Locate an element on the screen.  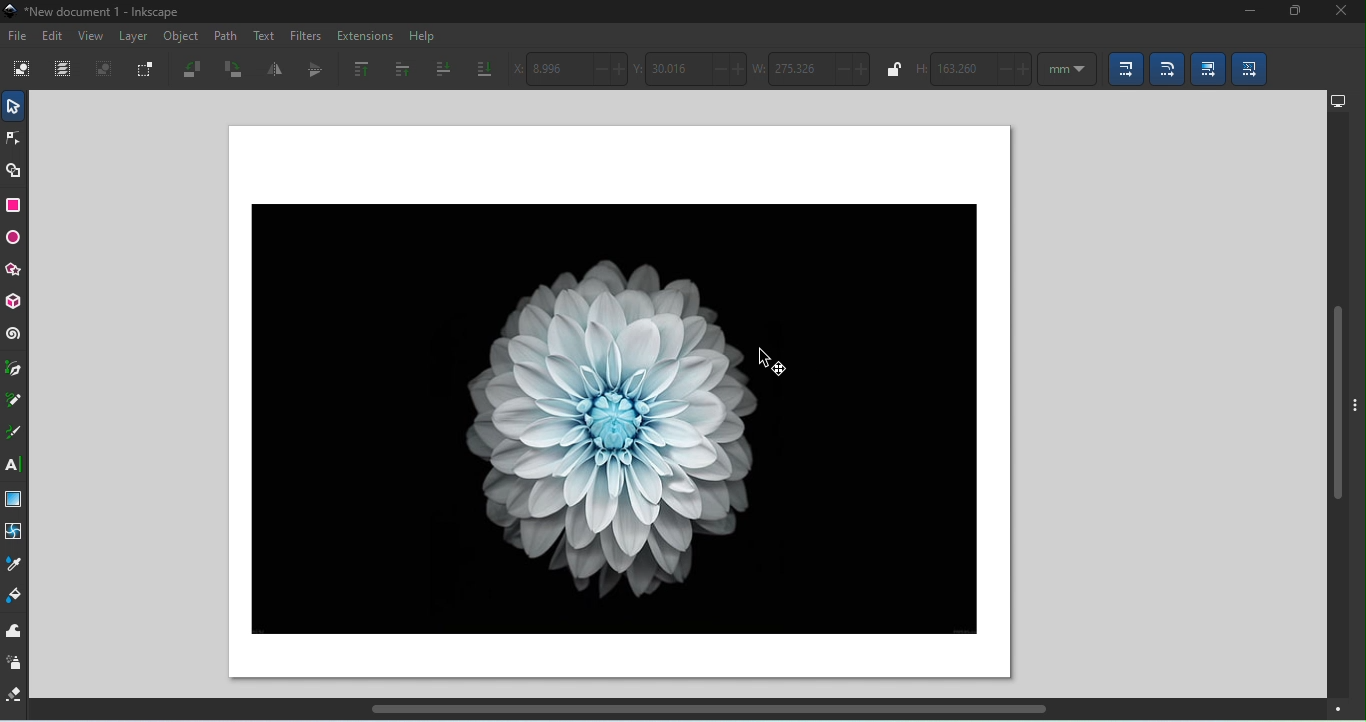
Object flip vertically is located at coordinates (310, 71).